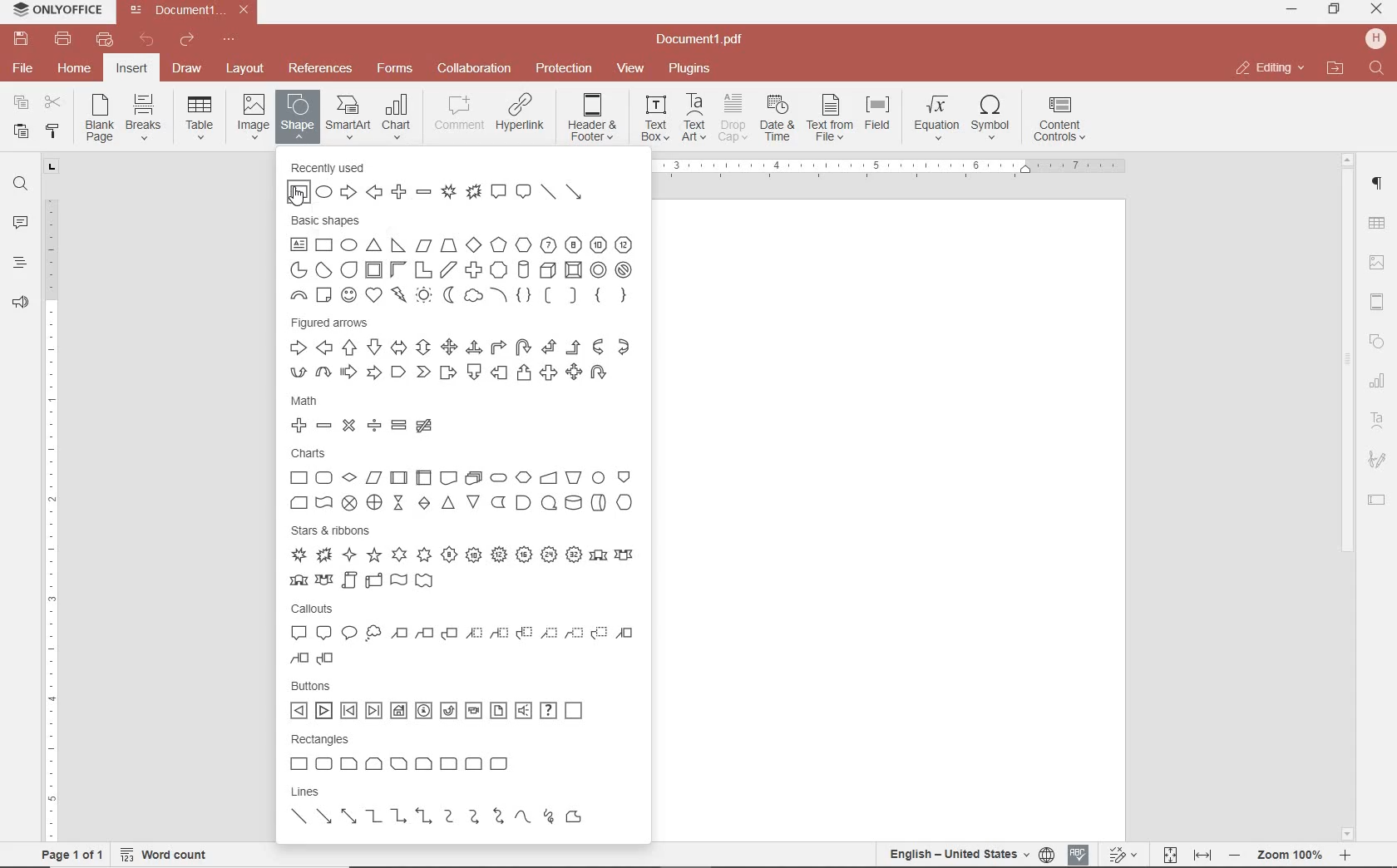  Describe the element at coordinates (52, 104) in the screenshot. I see `cut` at that location.